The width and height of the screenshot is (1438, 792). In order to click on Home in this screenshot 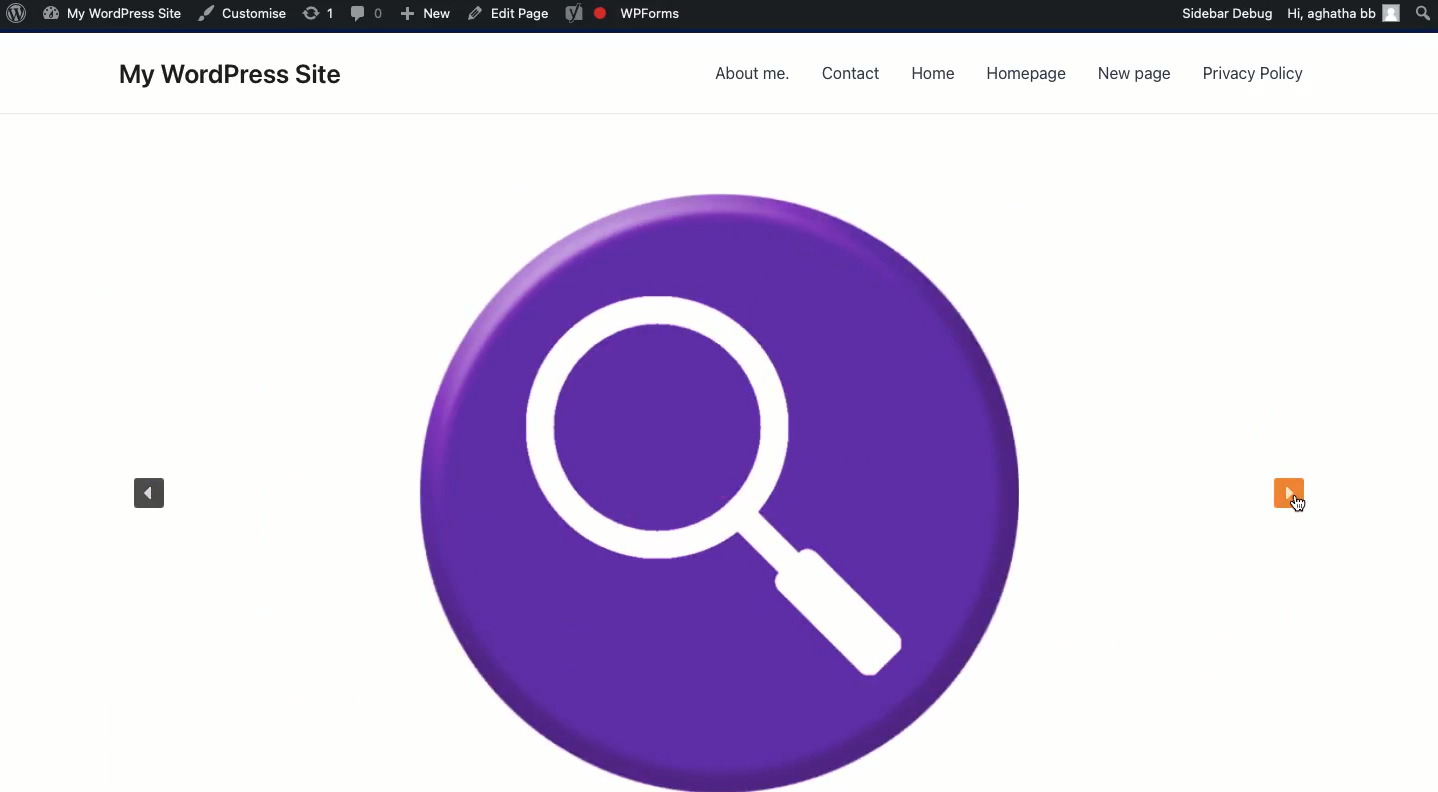, I will do `click(937, 72)`.